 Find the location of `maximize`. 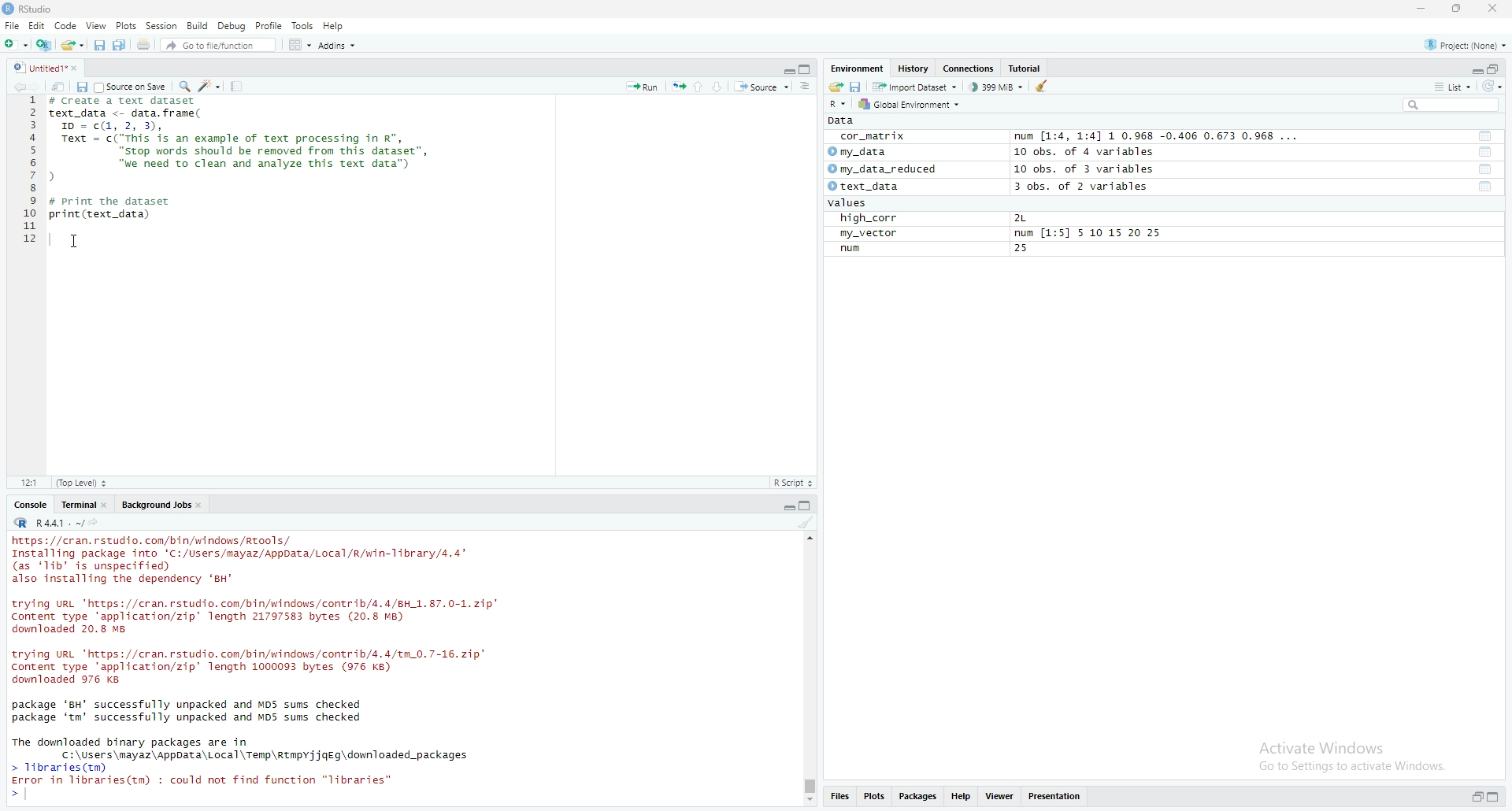

maximize is located at coordinates (1454, 8).